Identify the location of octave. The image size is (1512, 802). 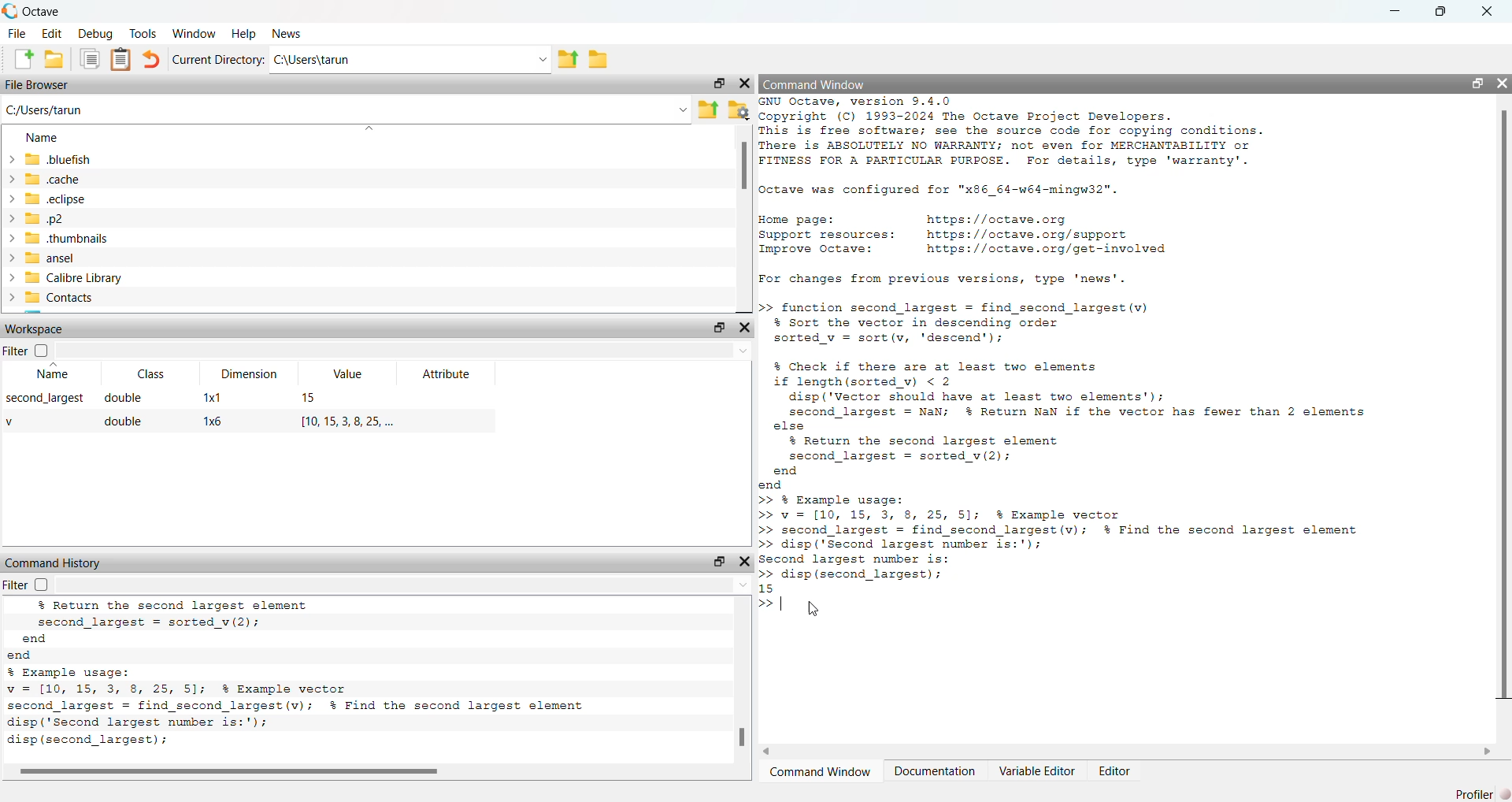
(44, 9).